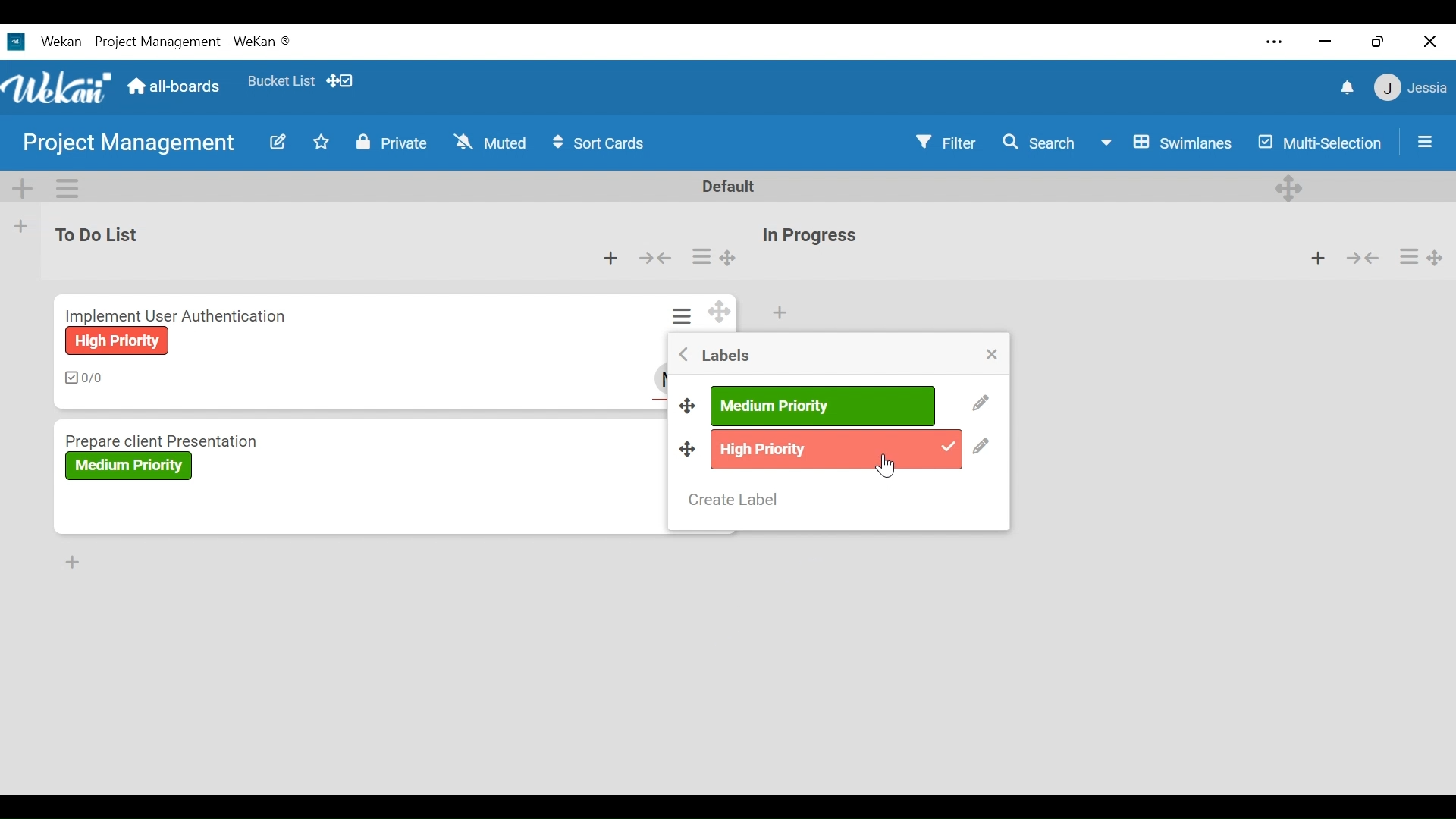 The height and width of the screenshot is (819, 1456). Describe the element at coordinates (86, 378) in the screenshot. I see `Number of checklists` at that location.